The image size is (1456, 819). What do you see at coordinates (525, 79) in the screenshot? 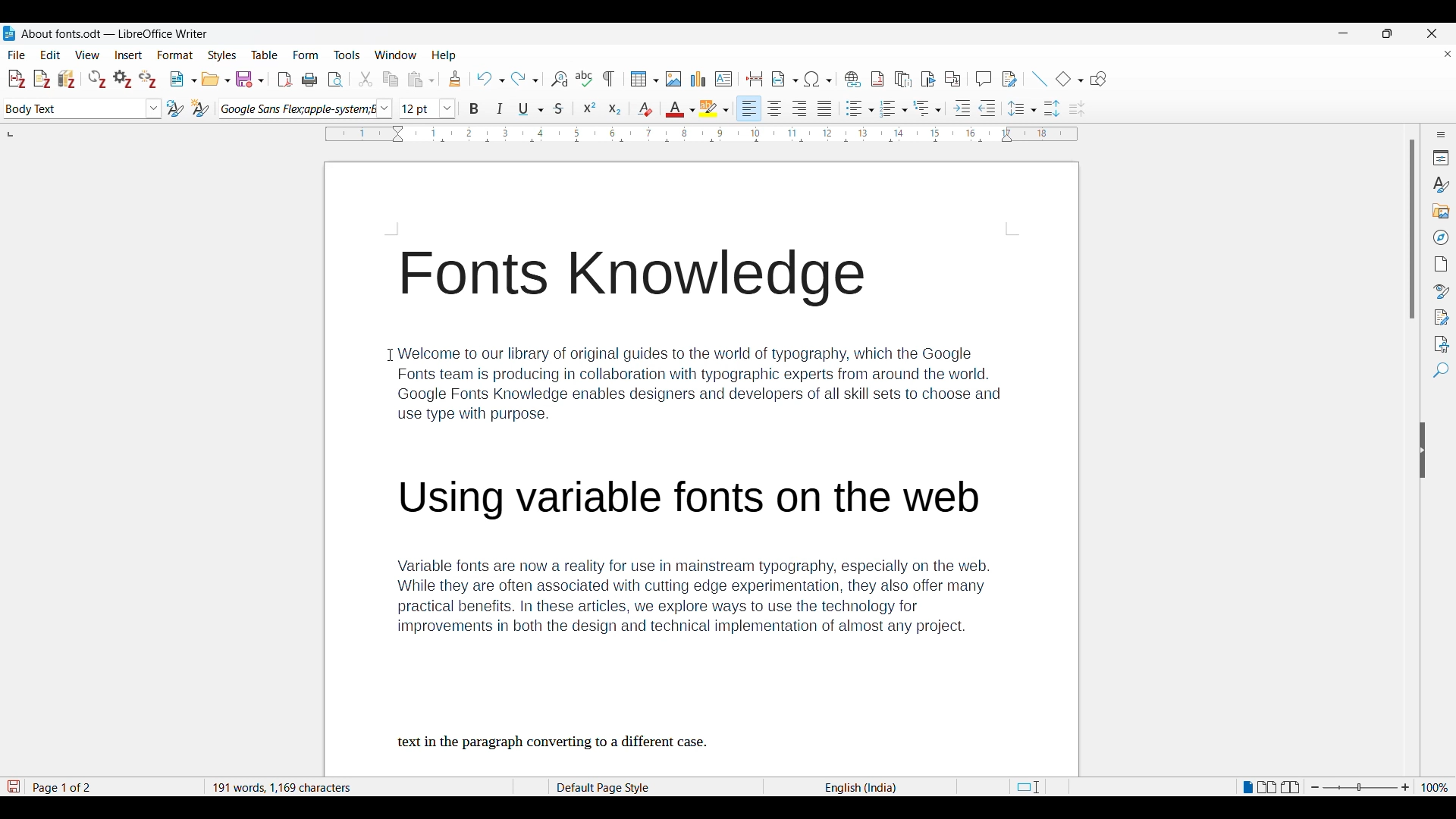
I see `Redo` at bounding box center [525, 79].